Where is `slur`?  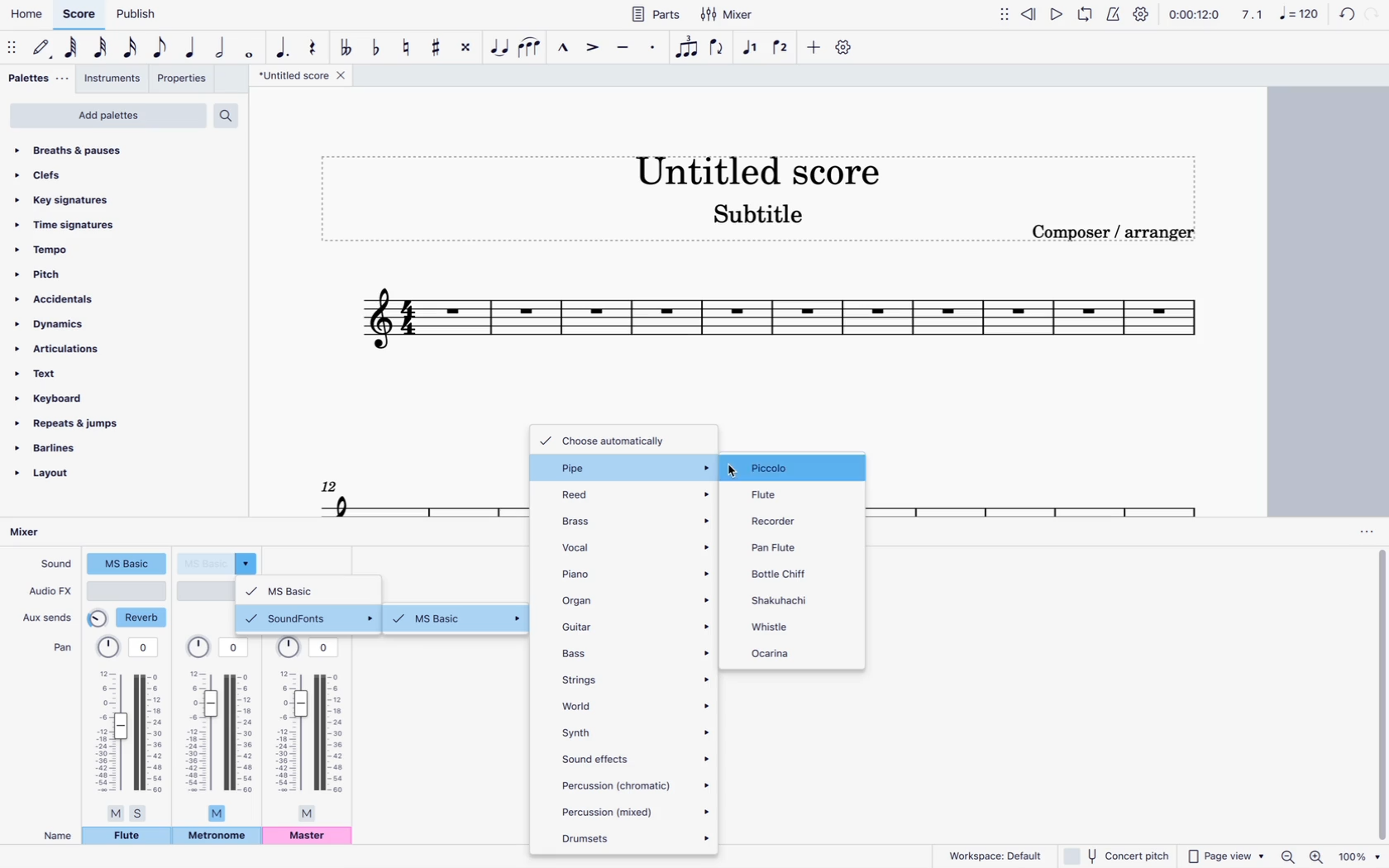
slur is located at coordinates (534, 48).